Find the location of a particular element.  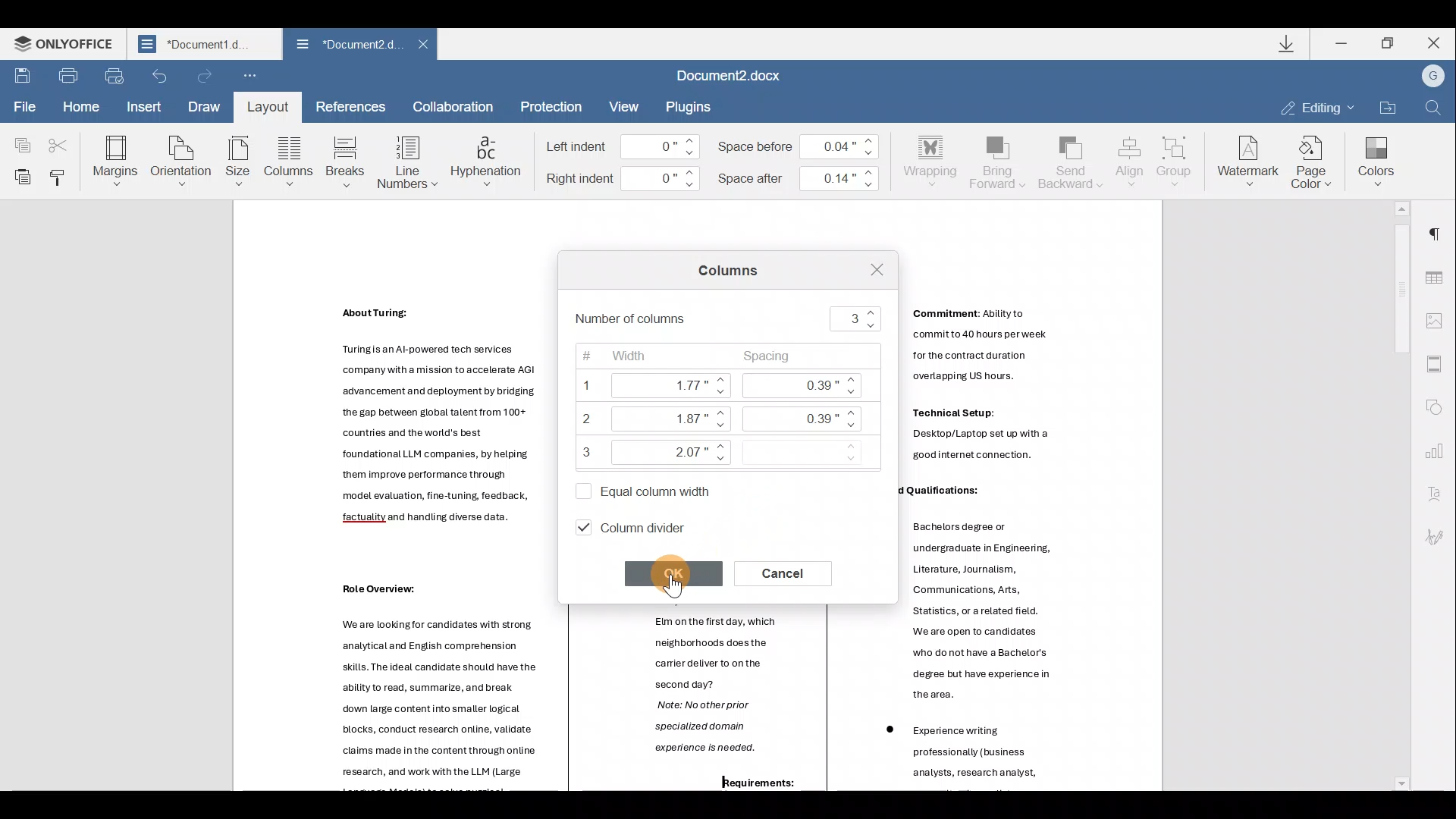

Send backward is located at coordinates (1068, 161).